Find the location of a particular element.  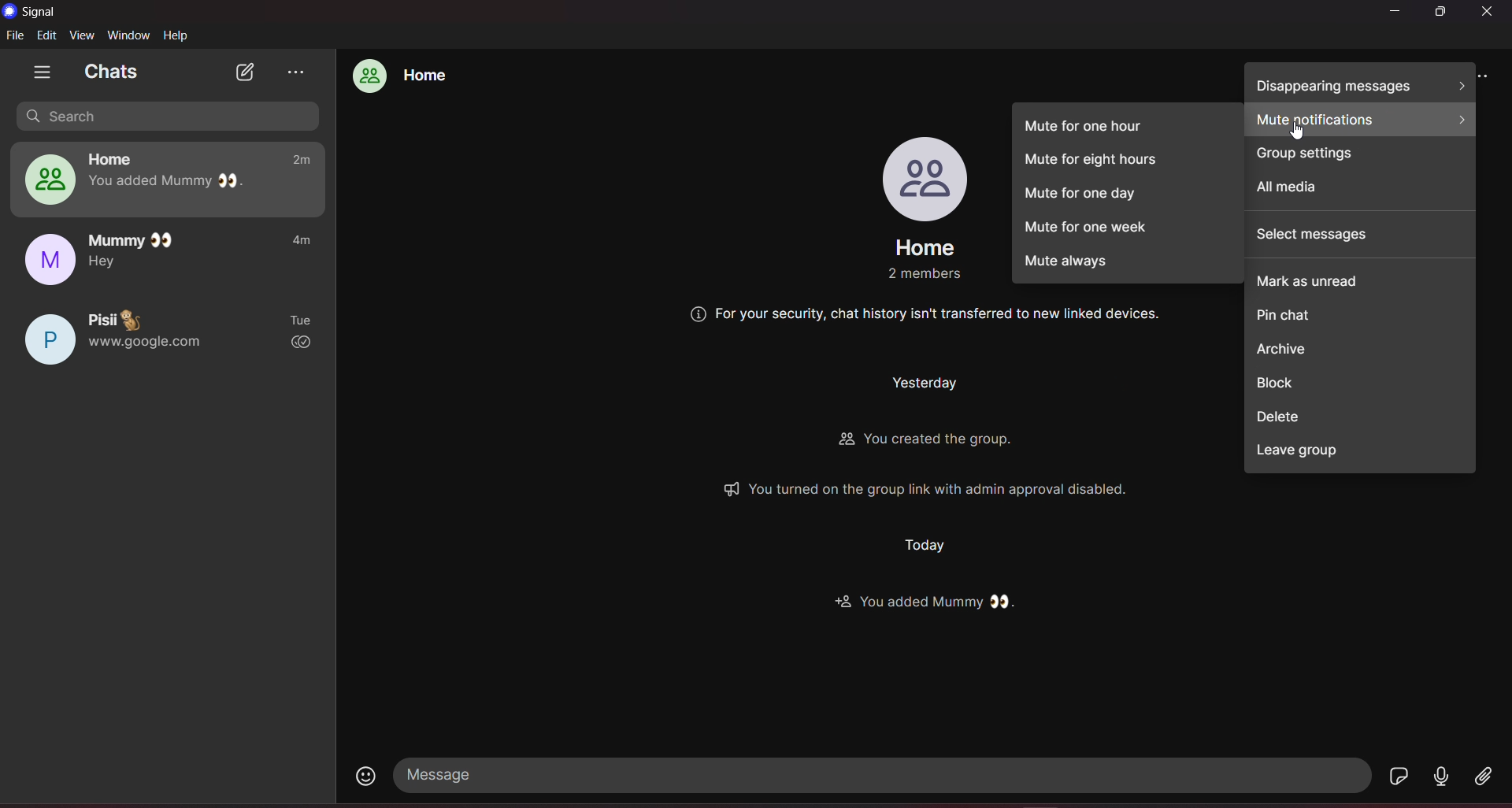

stickers is located at coordinates (1399, 776).